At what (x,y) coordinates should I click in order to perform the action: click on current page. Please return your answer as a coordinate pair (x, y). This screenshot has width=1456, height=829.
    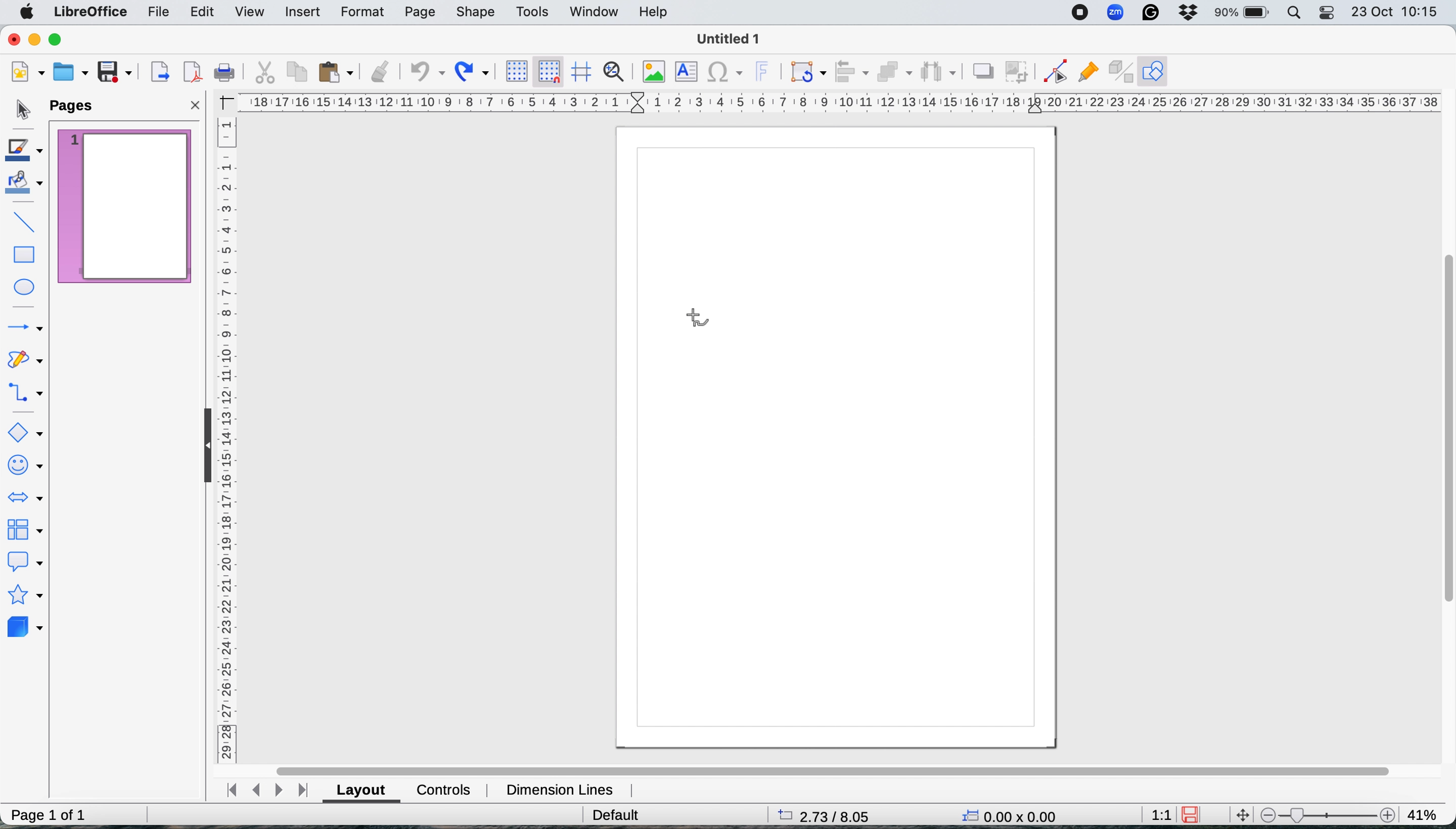
    Looking at the image, I should click on (121, 208).